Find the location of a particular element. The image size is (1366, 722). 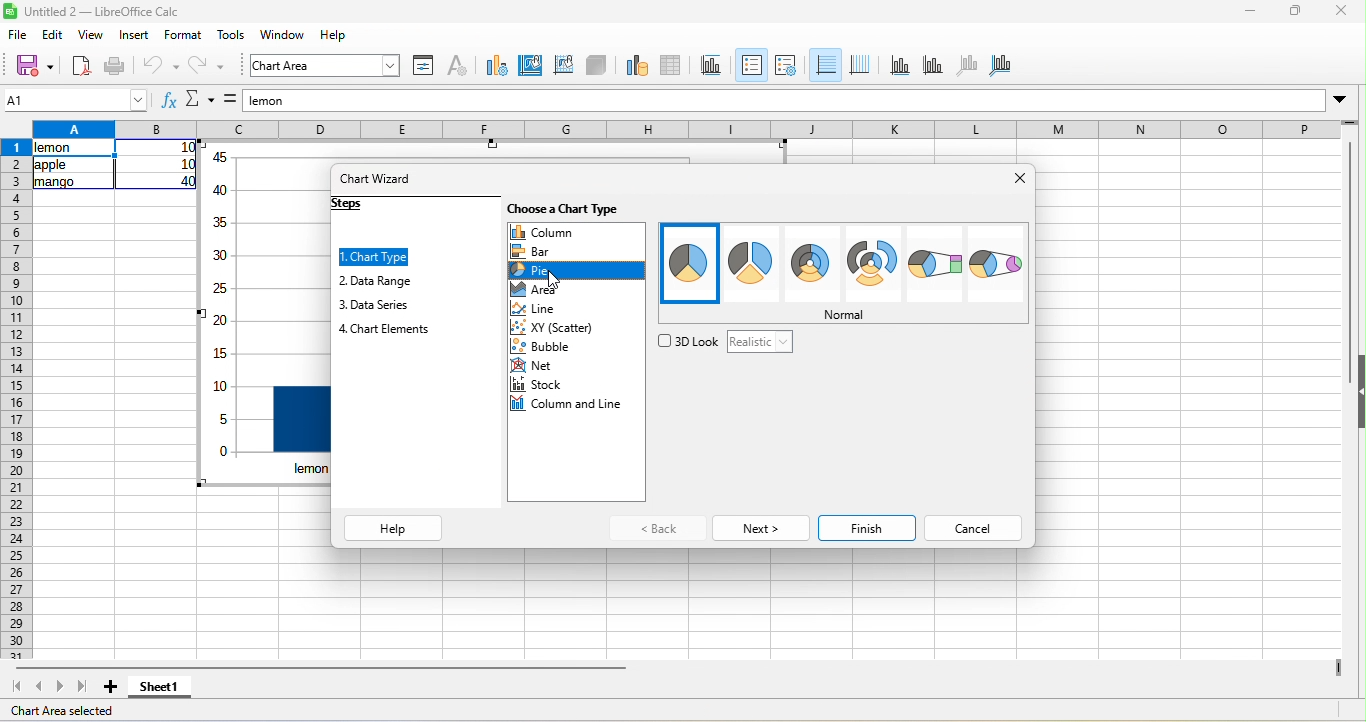

height is located at coordinates (1357, 392).